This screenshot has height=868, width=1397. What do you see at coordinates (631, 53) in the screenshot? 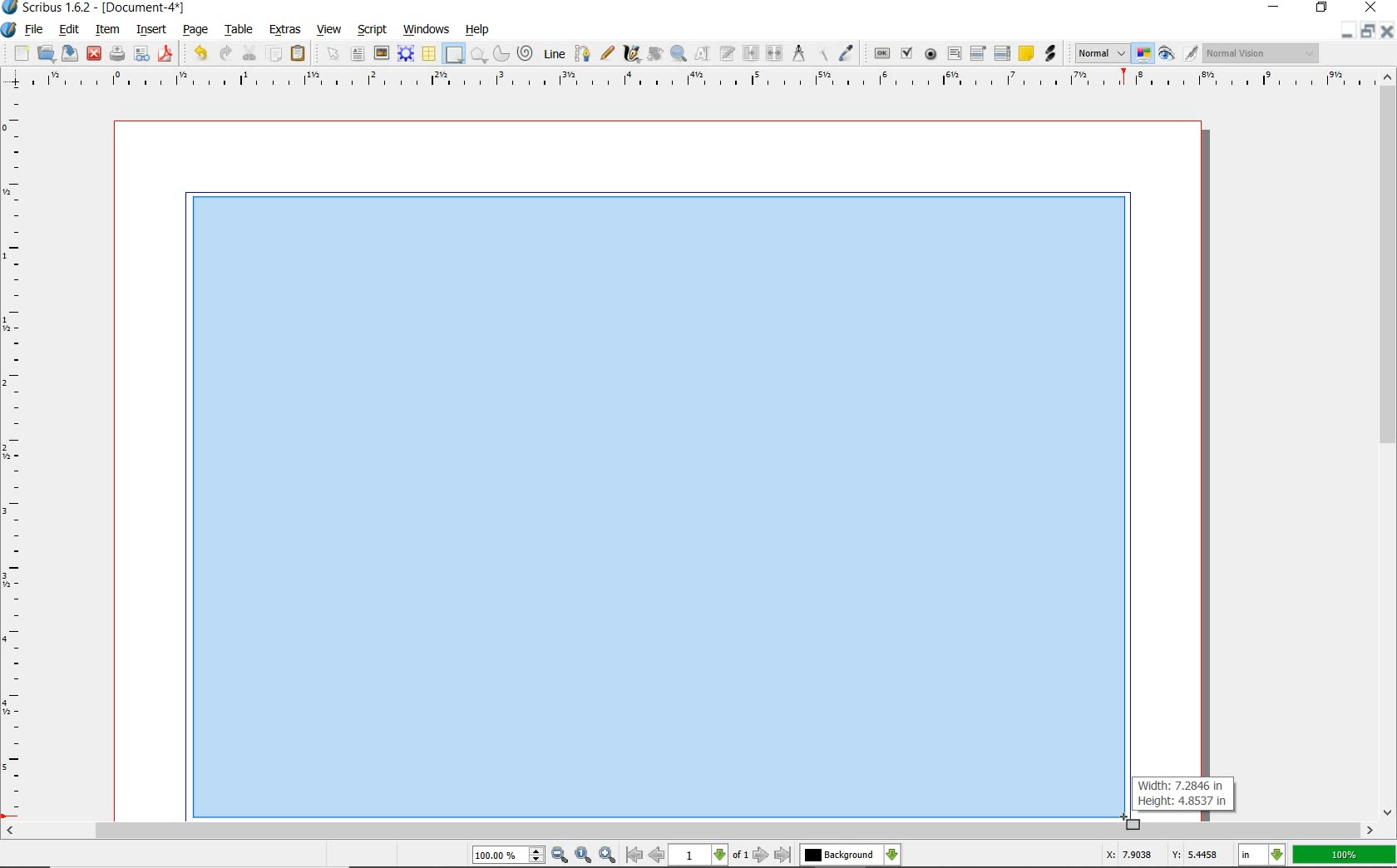
I see `calligraphic line` at bounding box center [631, 53].